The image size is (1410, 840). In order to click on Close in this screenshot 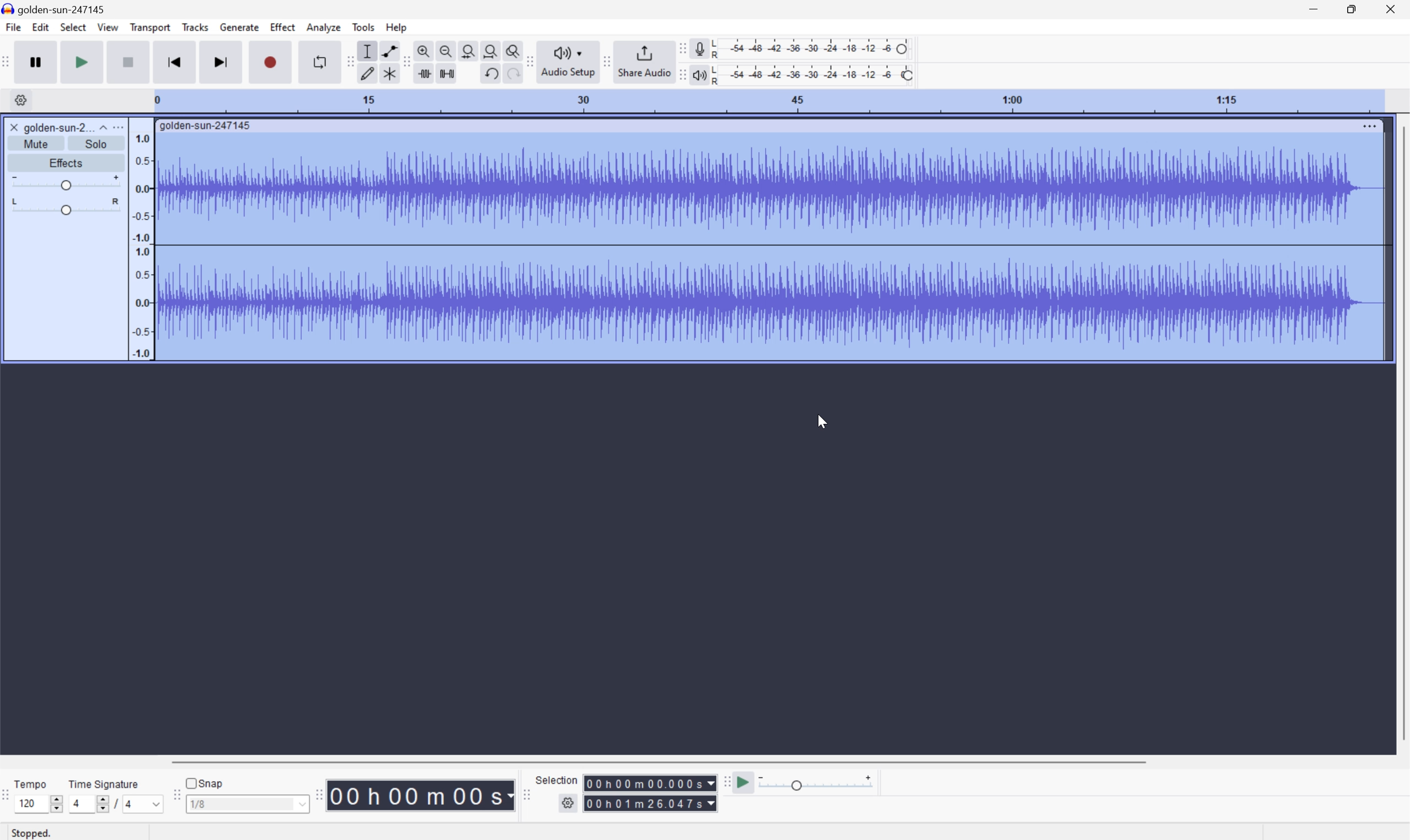, I will do `click(1394, 8)`.